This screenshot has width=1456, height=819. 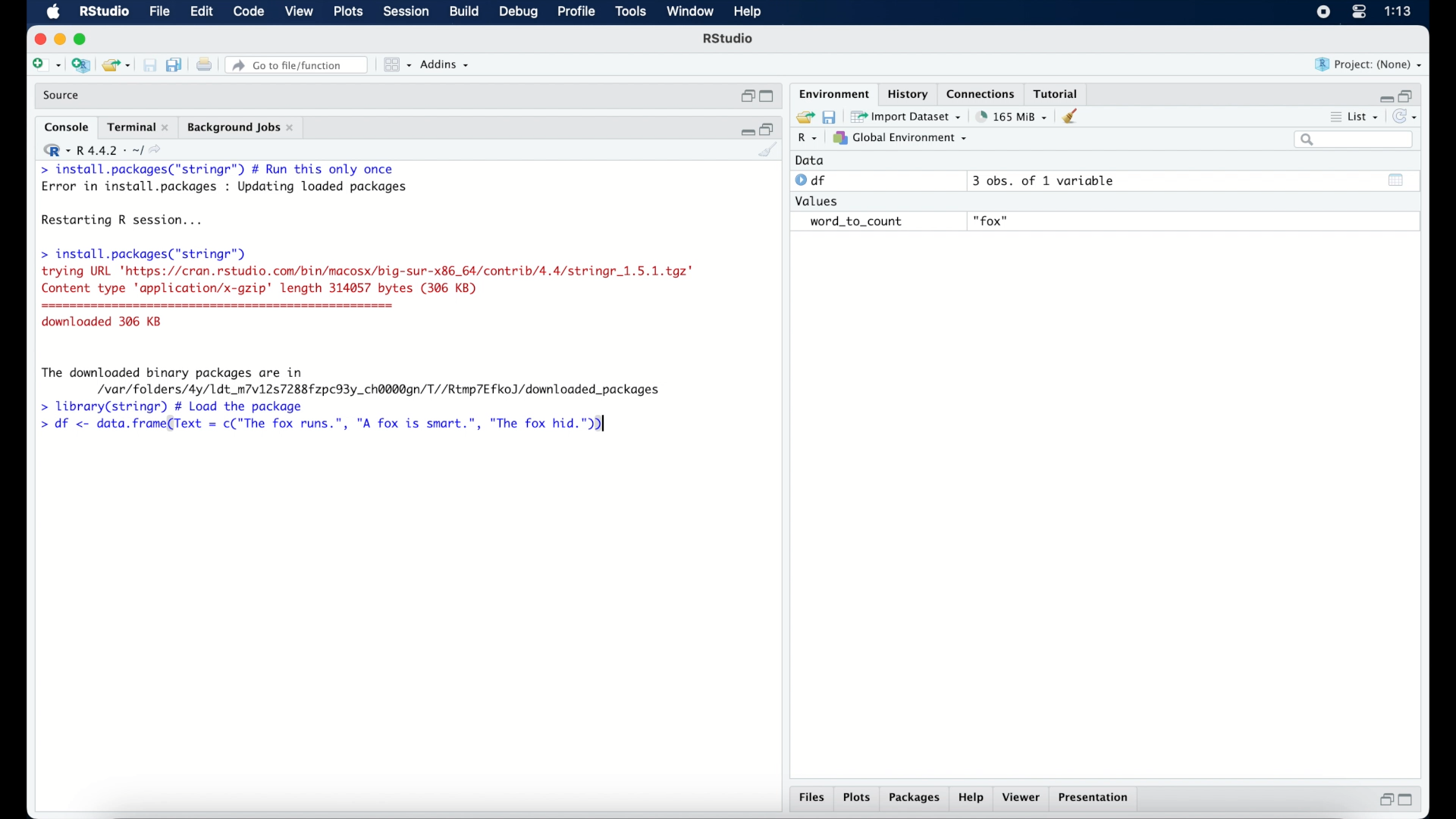 I want to click on search bar, so click(x=1356, y=140).